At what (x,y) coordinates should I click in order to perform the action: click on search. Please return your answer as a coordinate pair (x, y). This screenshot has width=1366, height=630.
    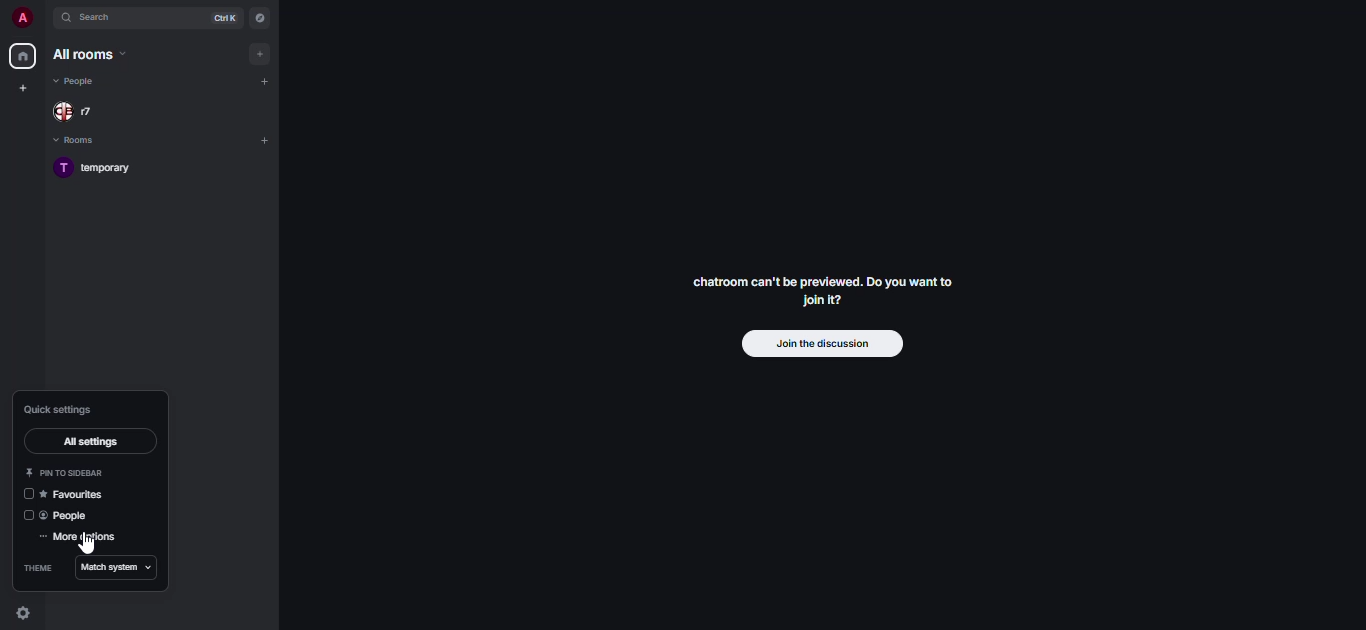
    Looking at the image, I should click on (103, 19).